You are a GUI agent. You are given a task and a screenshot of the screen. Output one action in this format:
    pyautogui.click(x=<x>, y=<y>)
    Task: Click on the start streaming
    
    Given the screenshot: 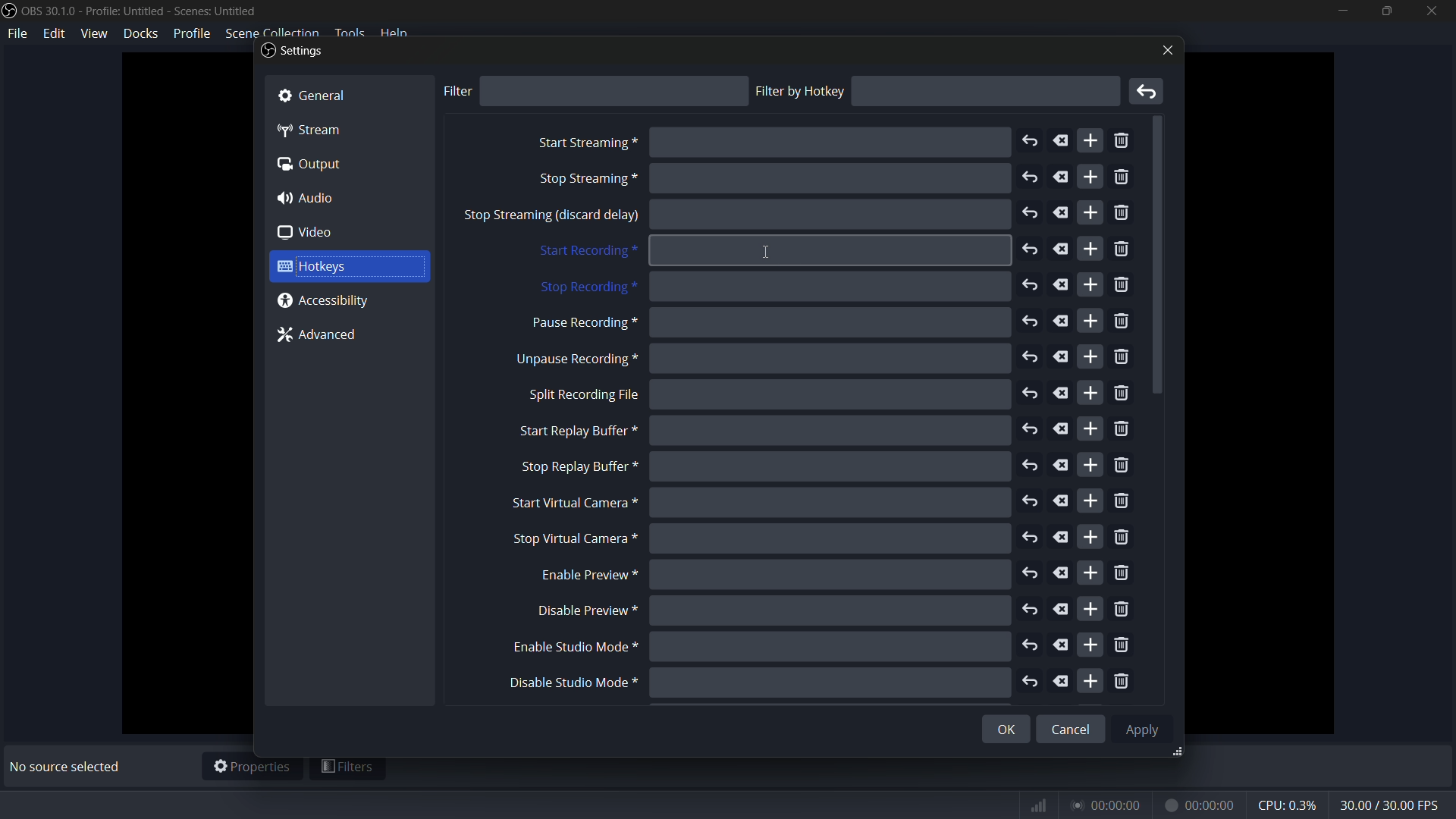 What is the action you would take?
    pyautogui.click(x=586, y=143)
    